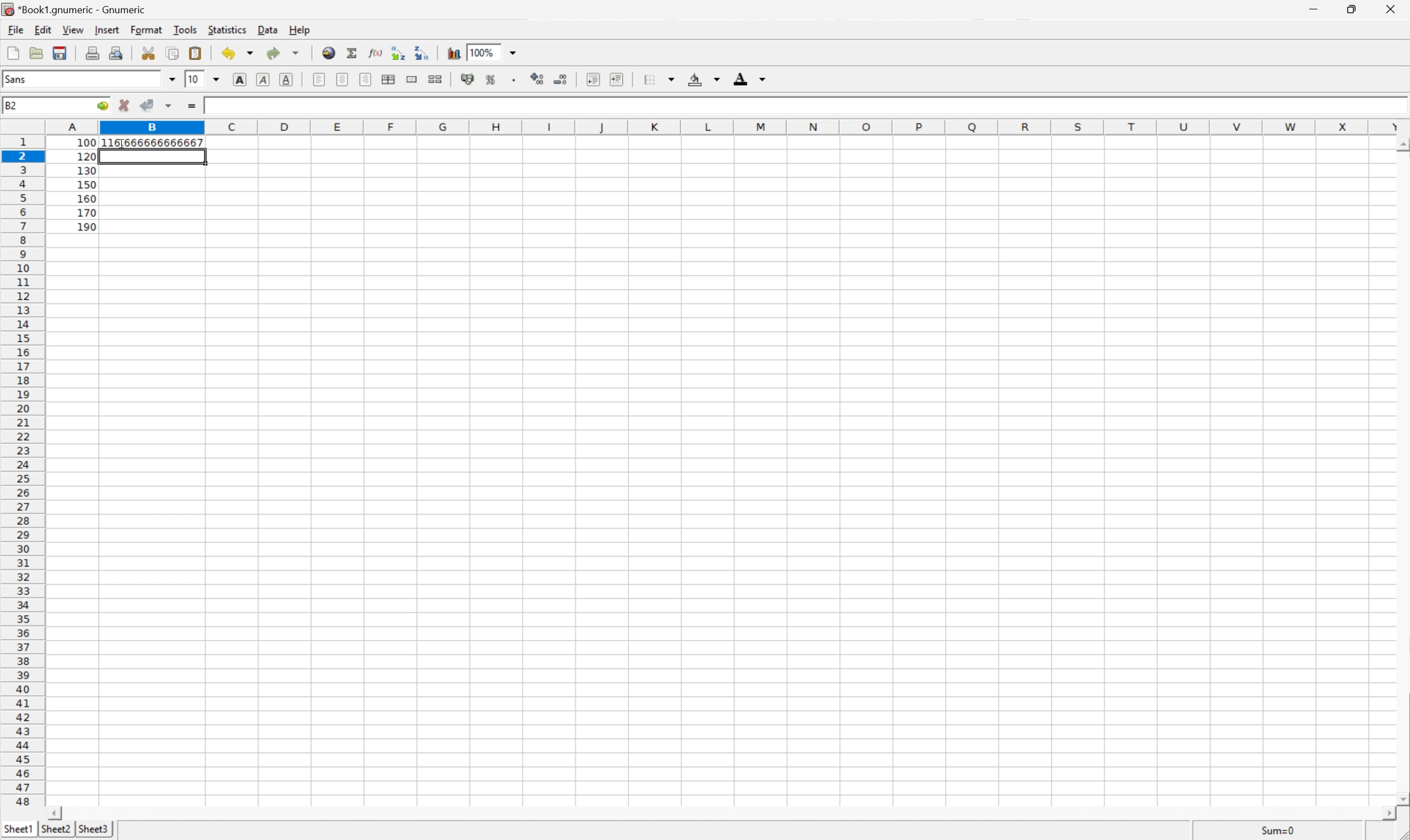  Describe the element at coordinates (1390, 11) in the screenshot. I see `Close` at that location.